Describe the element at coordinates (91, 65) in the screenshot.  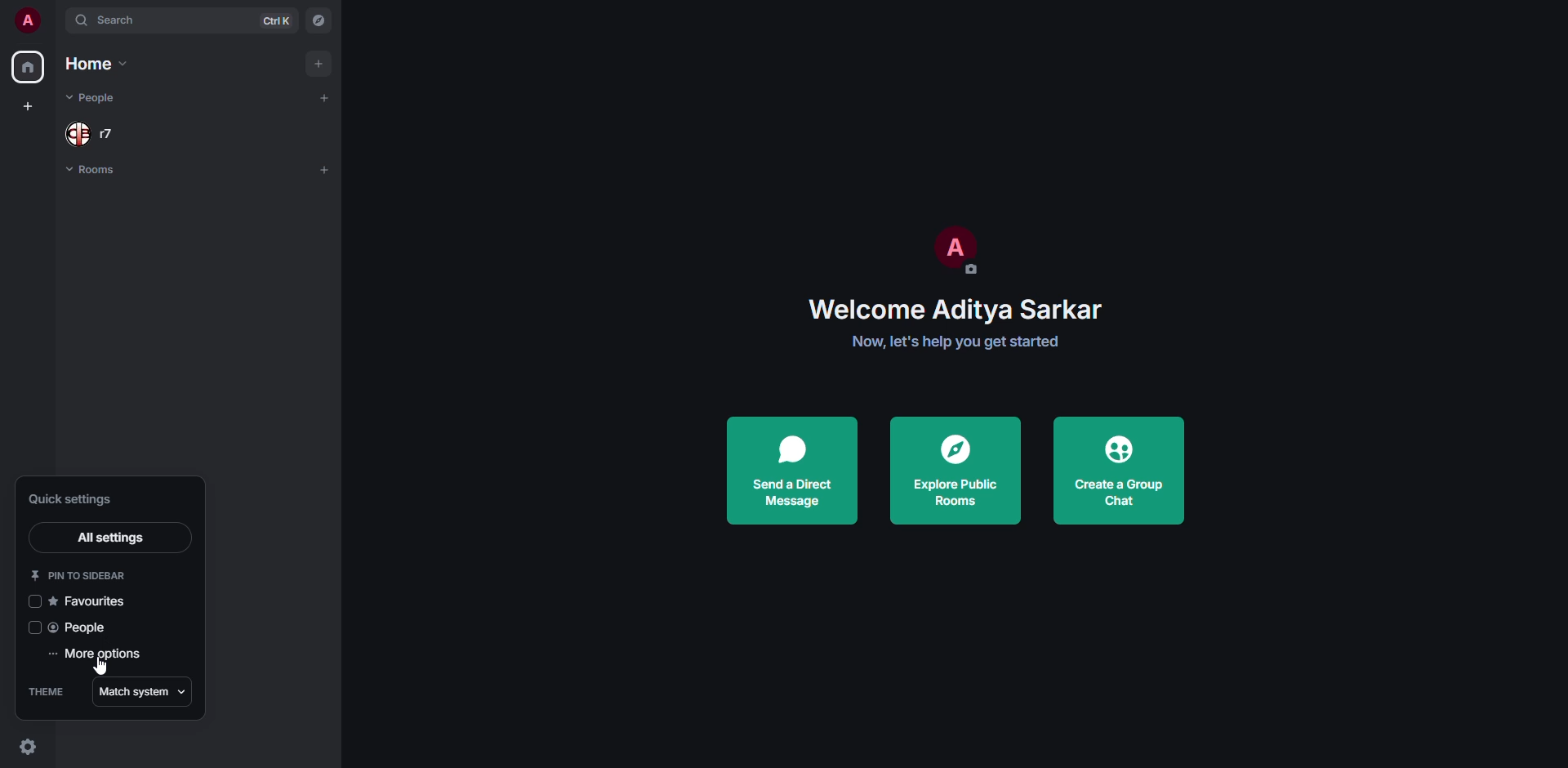
I see `home` at that location.